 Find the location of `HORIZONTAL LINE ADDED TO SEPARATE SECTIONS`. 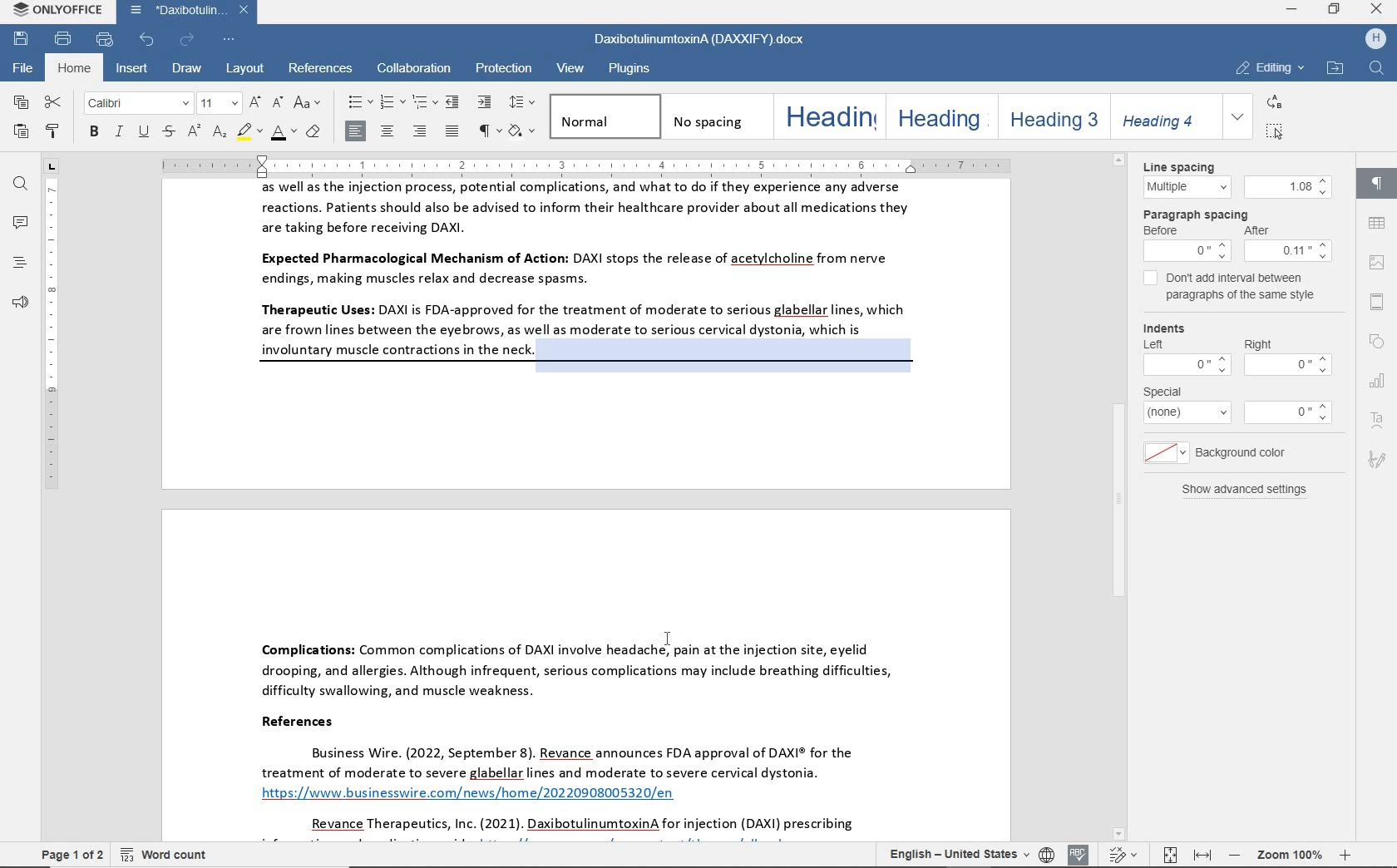

HORIZONTAL LINE ADDED TO SEPARATE SECTIONS is located at coordinates (593, 366).